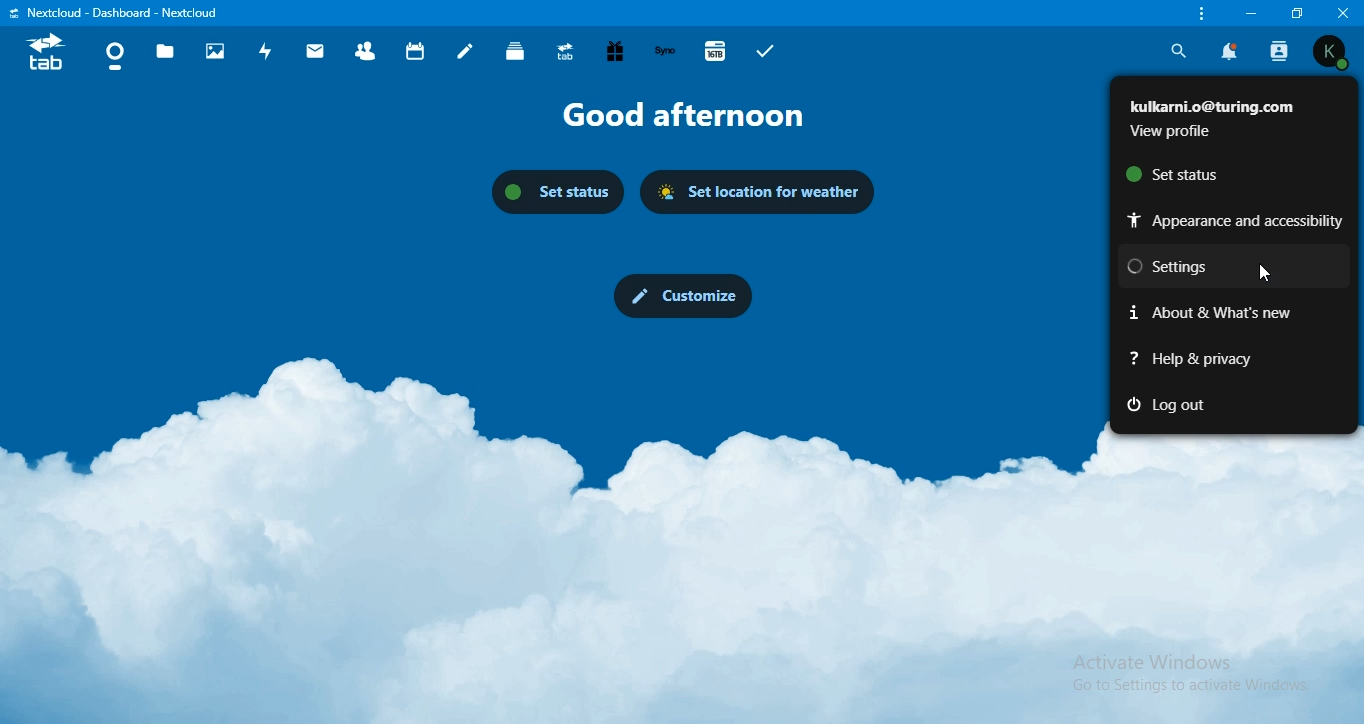  Describe the element at coordinates (696, 116) in the screenshot. I see `text` at that location.